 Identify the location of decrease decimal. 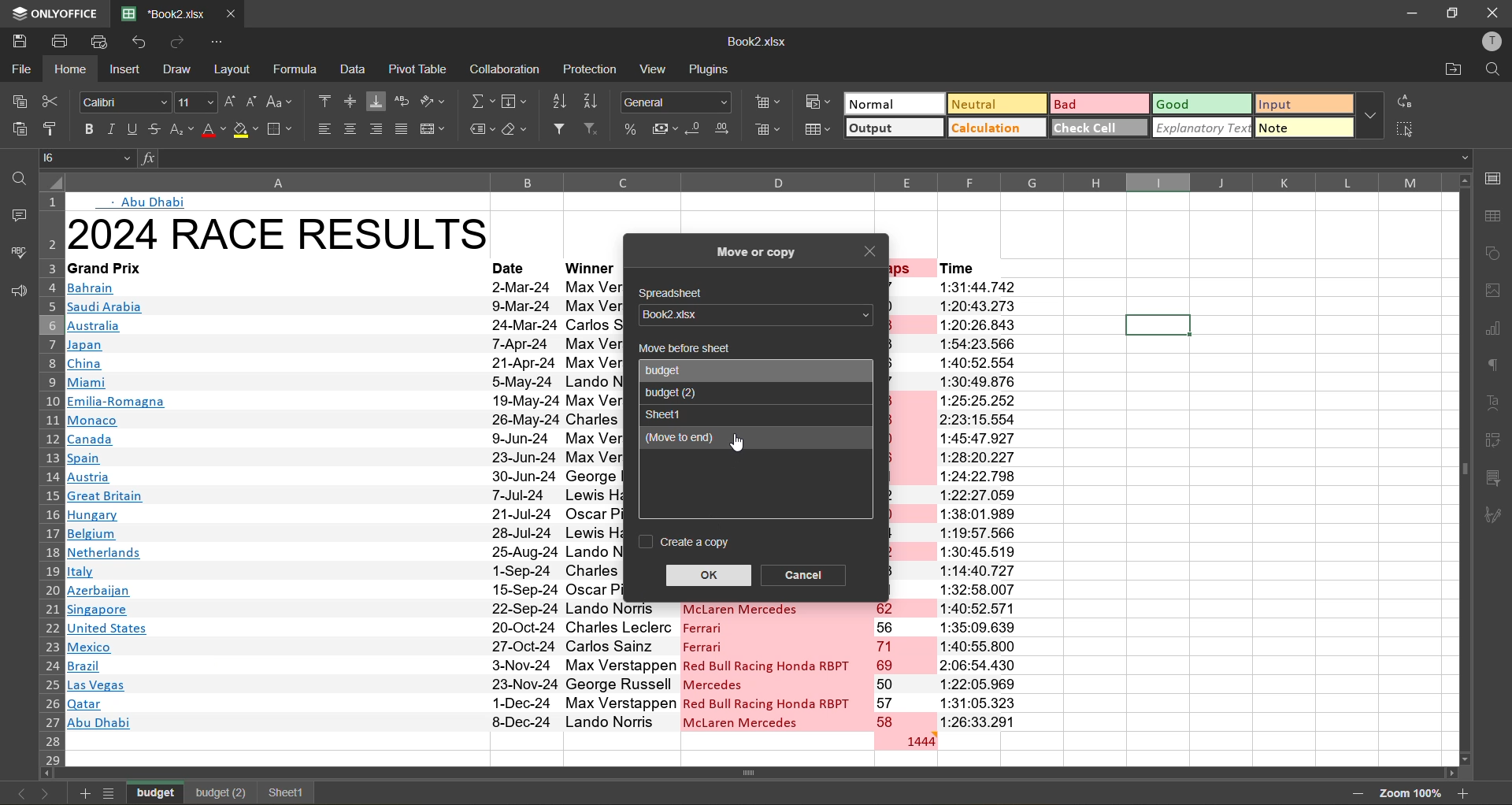
(696, 129).